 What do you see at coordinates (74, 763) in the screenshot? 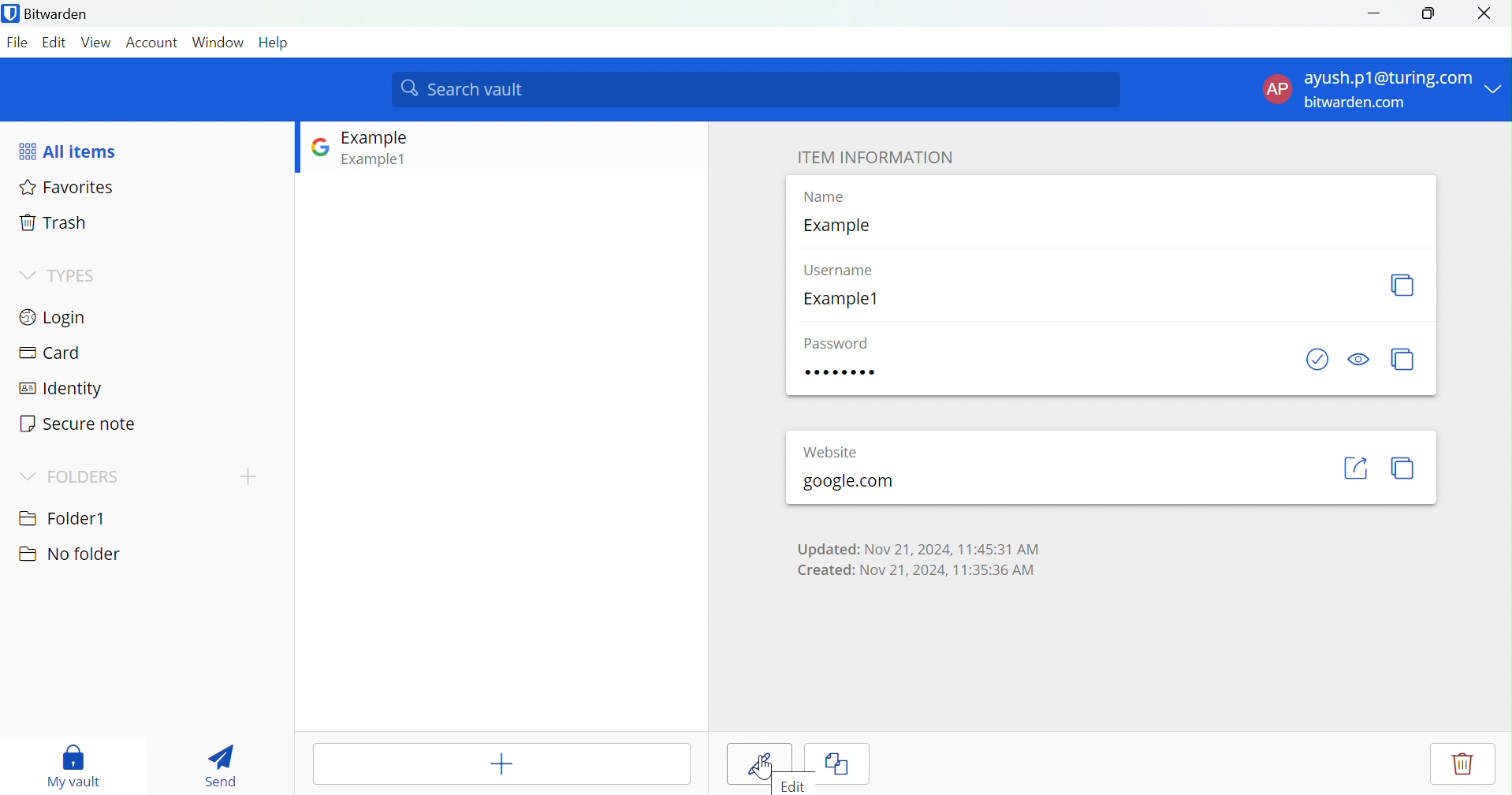
I see `My vault` at bounding box center [74, 763].